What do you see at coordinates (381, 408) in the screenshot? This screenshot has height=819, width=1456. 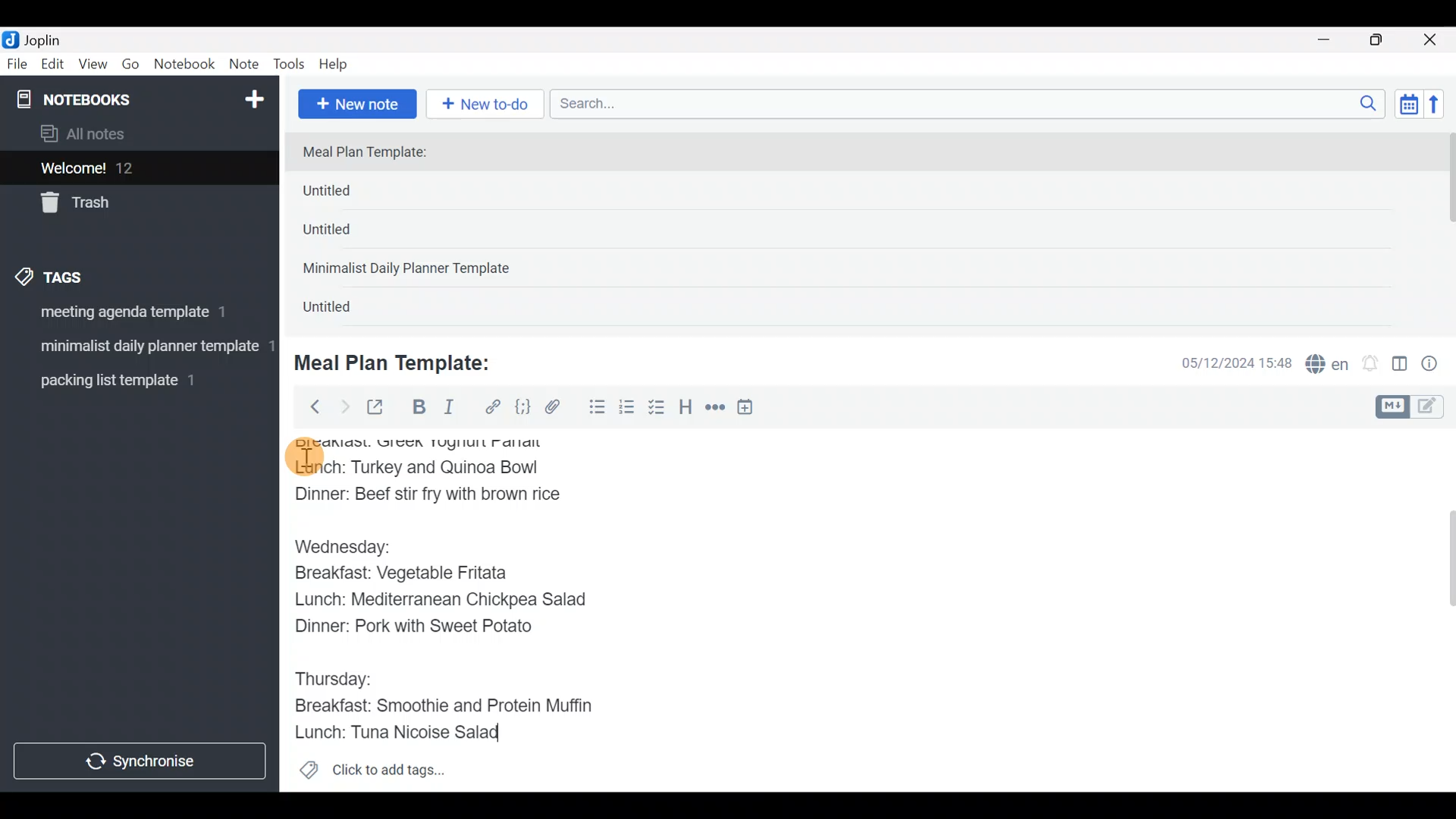 I see `Toggle external editing` at bounding box center [381, 408].